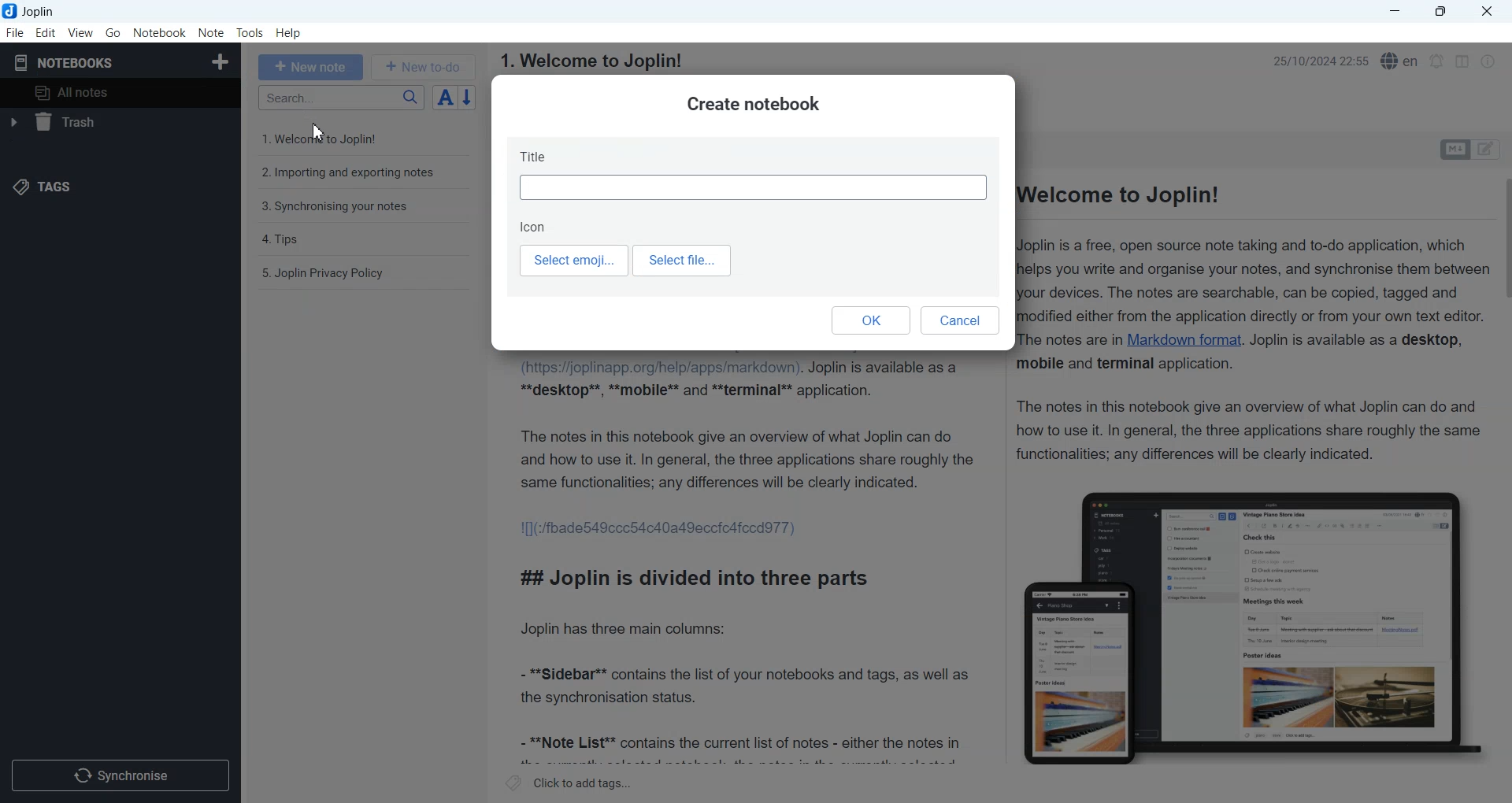 This screenshot has width=1512, height=803. Describe the element at coordinates (311, 67) in the screenshot. I see `+ New note` at that location.